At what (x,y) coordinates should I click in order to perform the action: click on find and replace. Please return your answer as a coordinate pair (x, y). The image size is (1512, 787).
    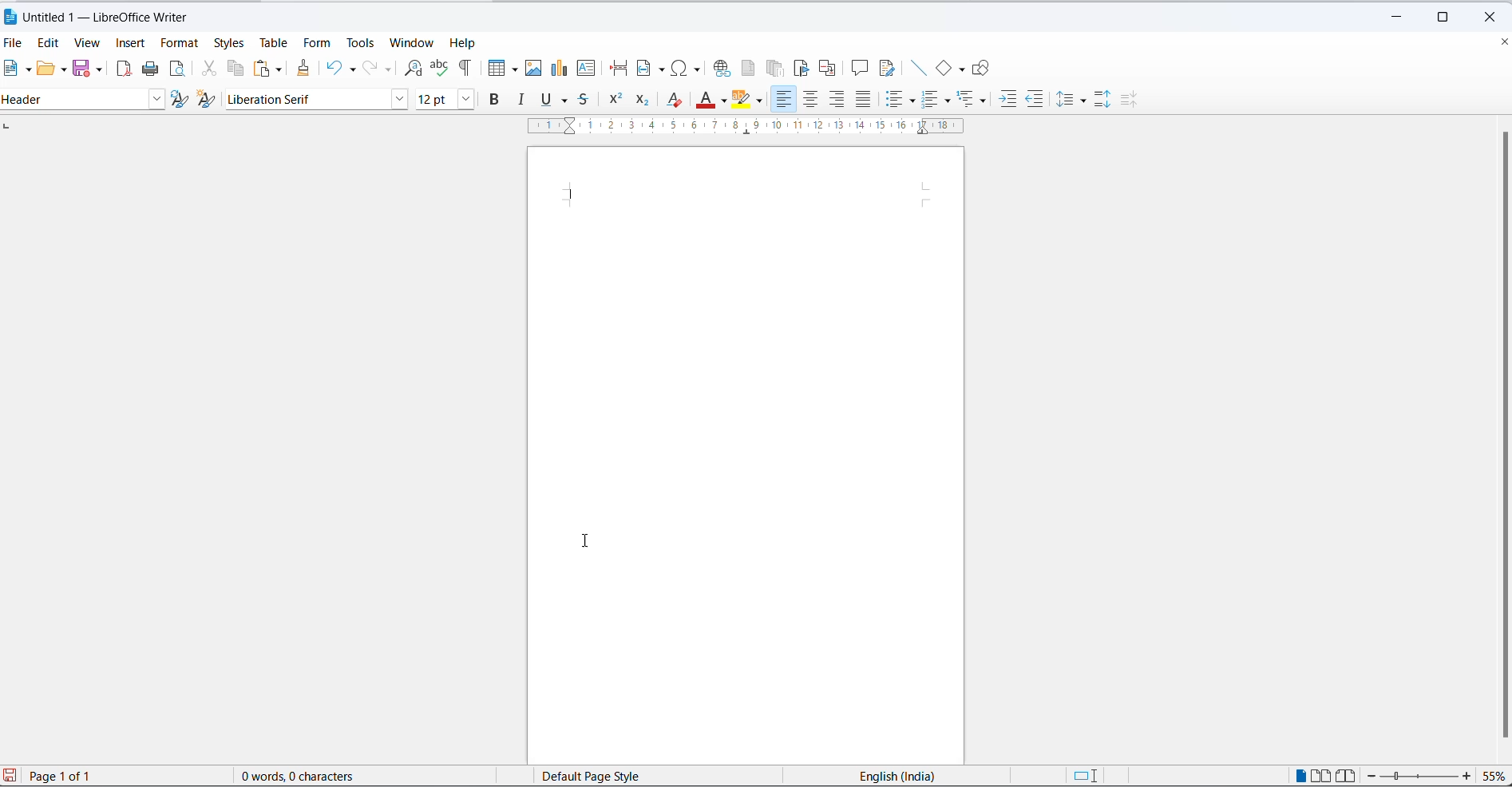
    Looking at the image, I should click on (414, 66).